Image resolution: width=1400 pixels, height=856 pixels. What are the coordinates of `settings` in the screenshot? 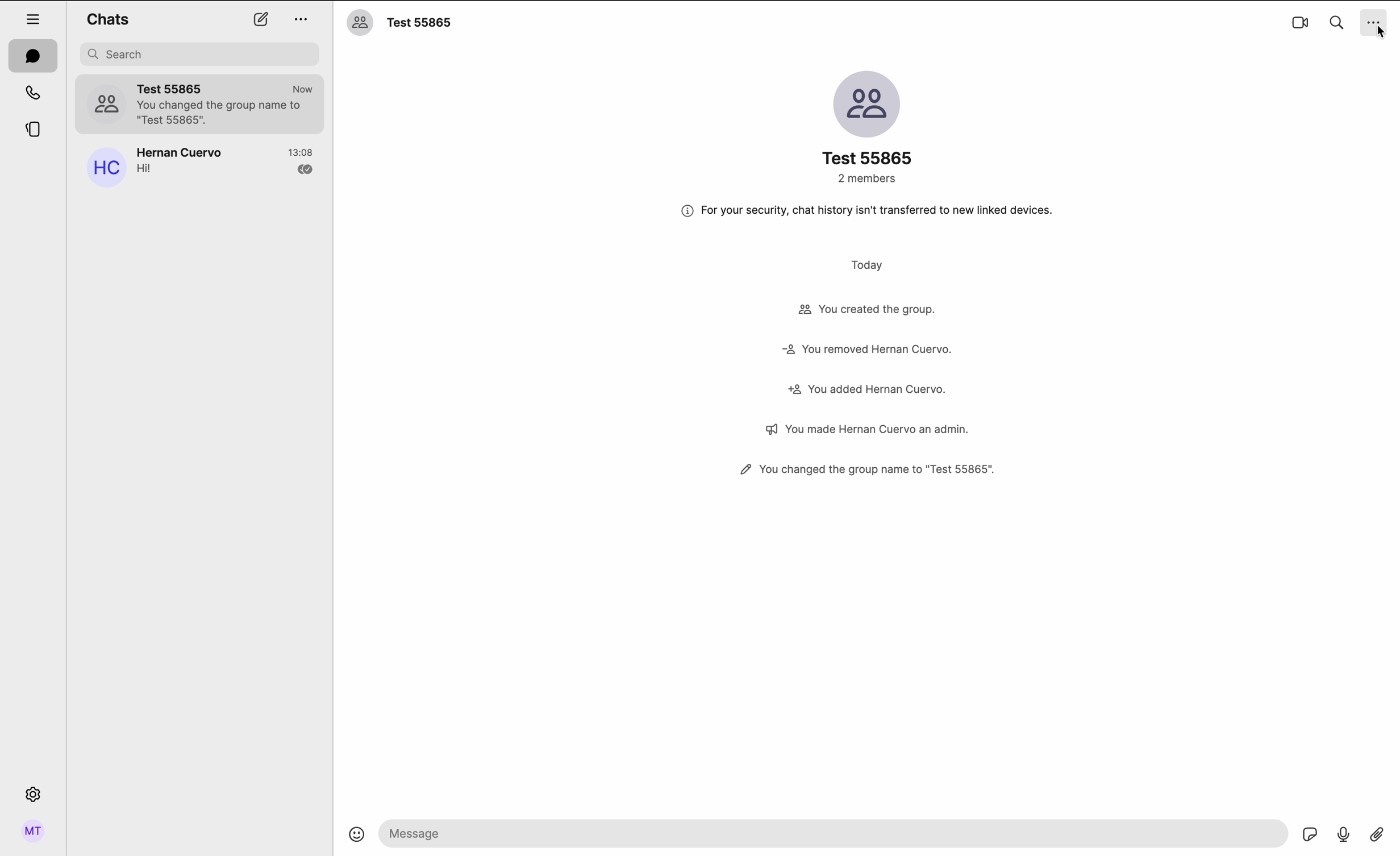 It's located at (34, 792).